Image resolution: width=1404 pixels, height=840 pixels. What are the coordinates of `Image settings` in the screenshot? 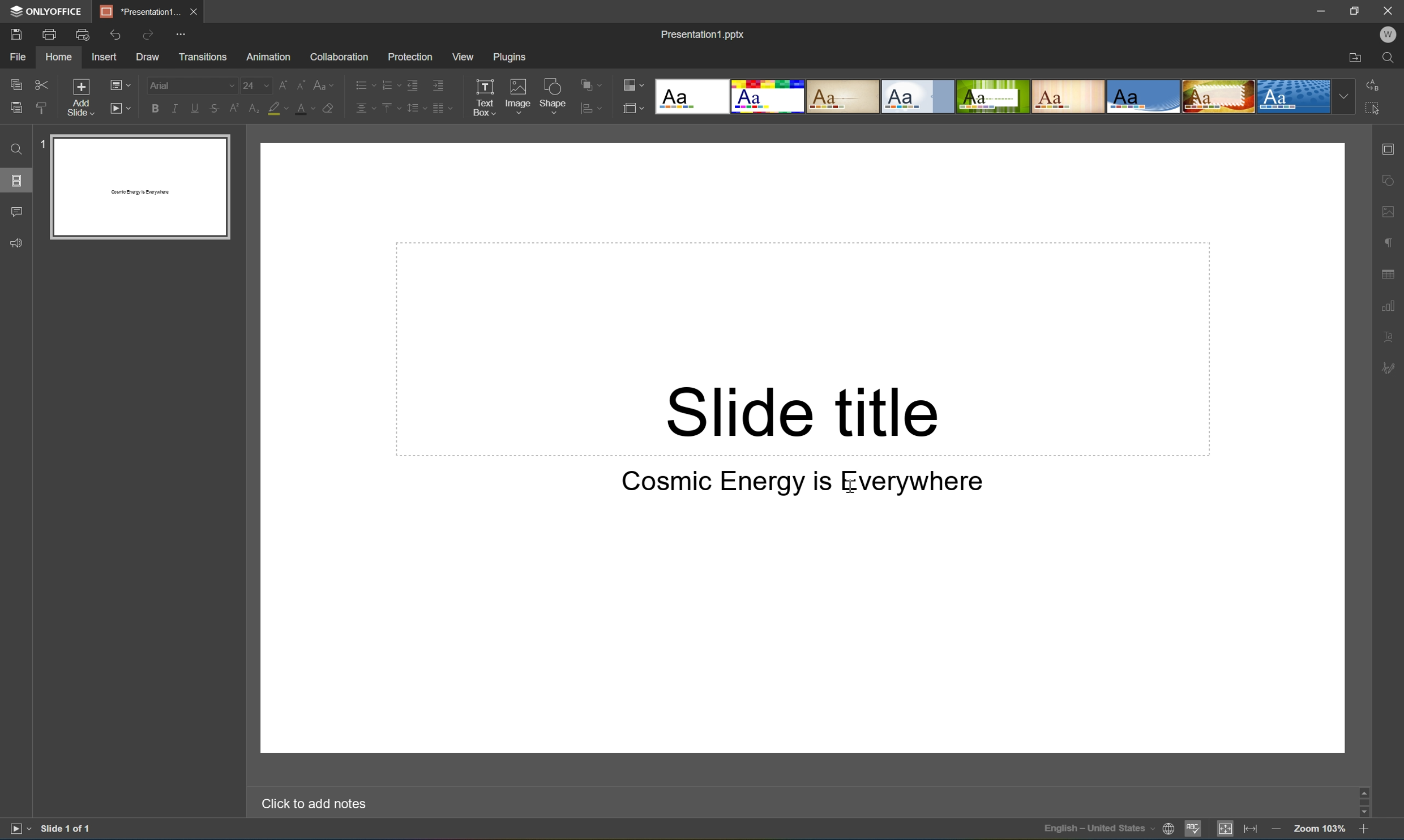 It's located at (1390, 210).